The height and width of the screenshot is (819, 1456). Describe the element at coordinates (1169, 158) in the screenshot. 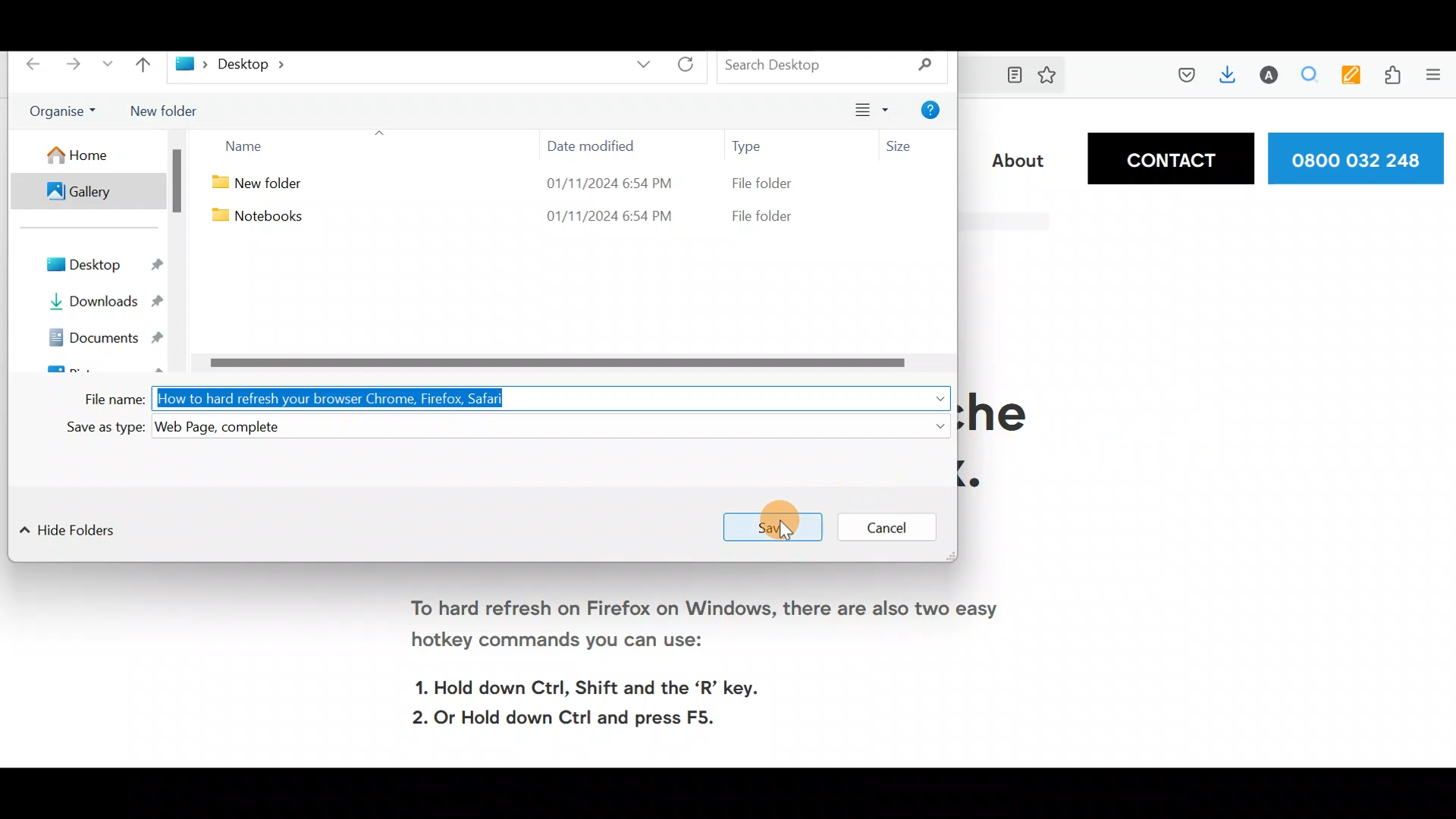

I see `Contact` at that location.